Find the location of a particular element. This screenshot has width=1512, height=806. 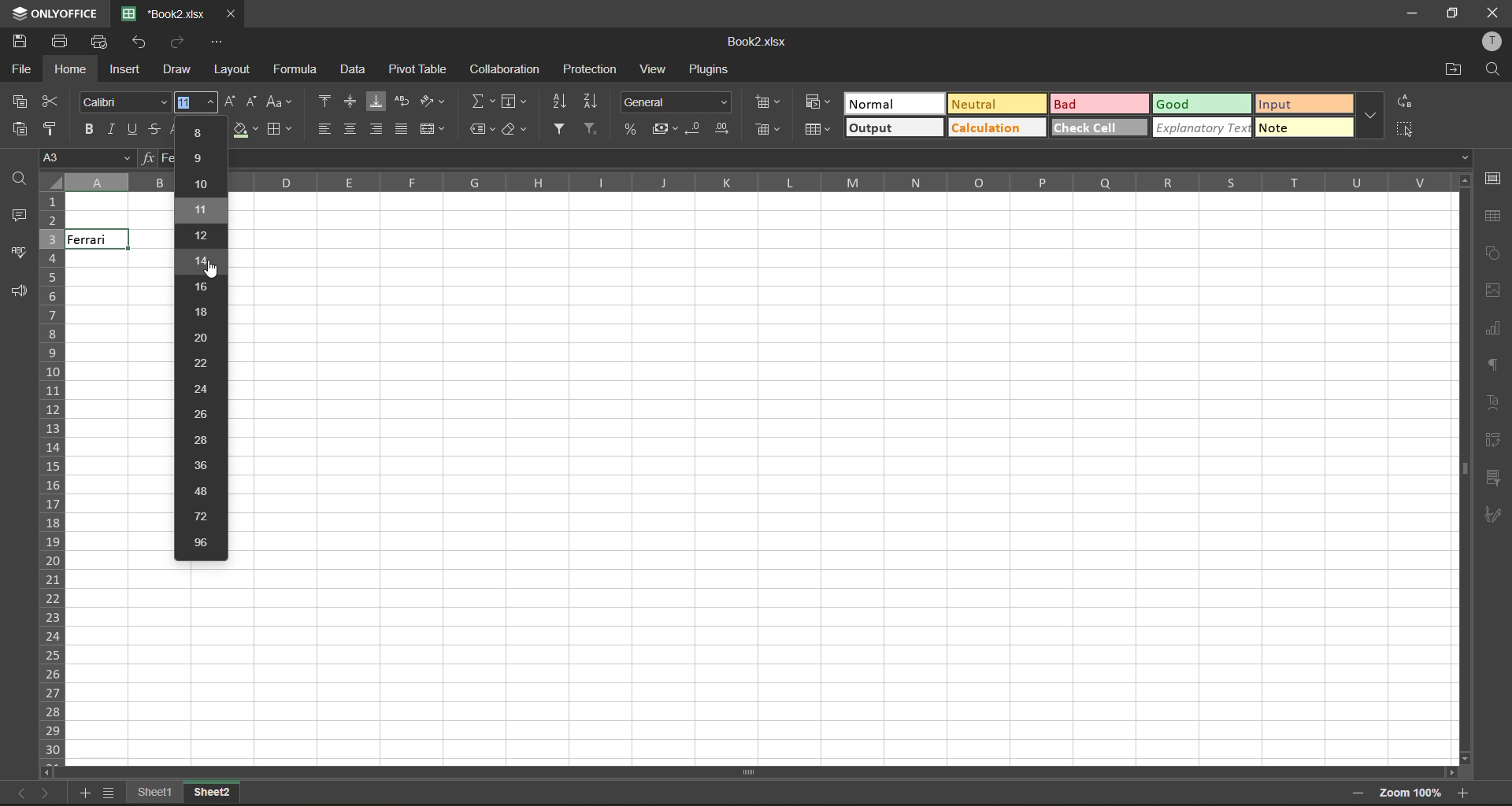

14 is located at coordinates (204, 262).